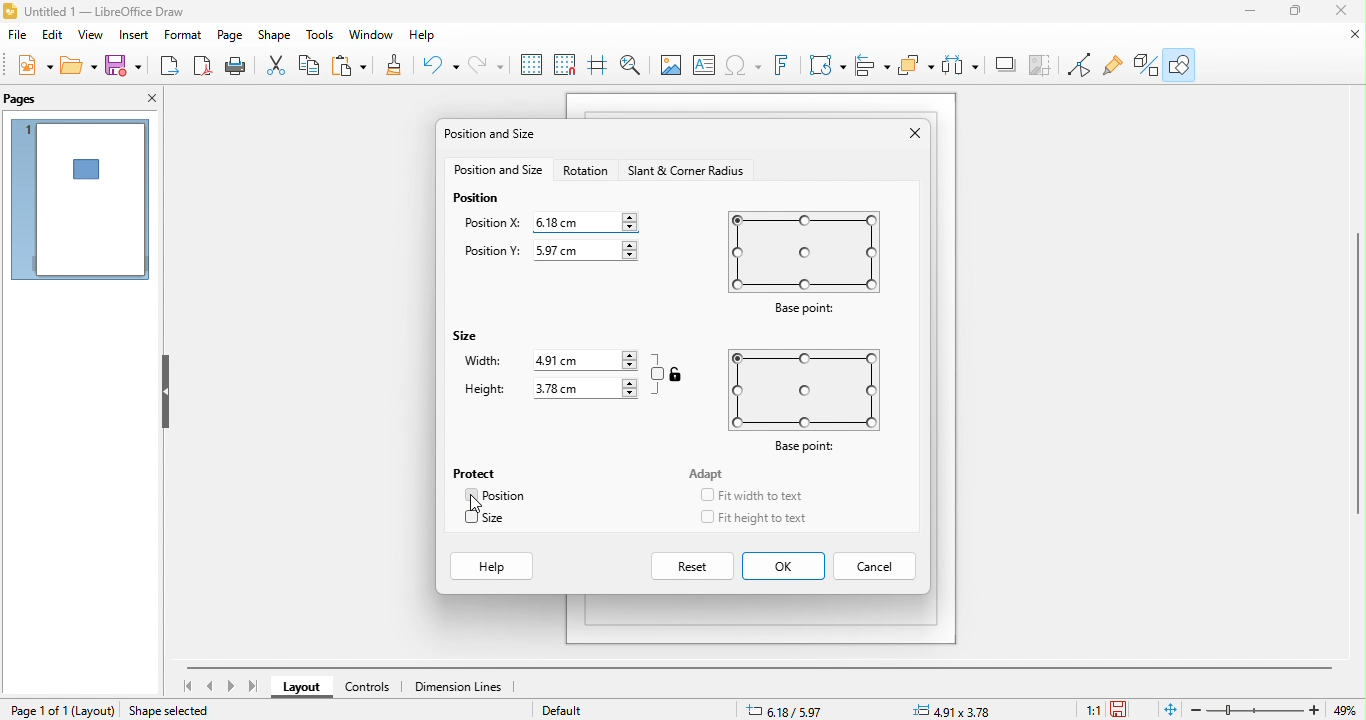 The height and width of the screenshot is (720, 1366). Describe the element at coordinates (461, 687) in the screenshot. I see `dimension lines` at that location.